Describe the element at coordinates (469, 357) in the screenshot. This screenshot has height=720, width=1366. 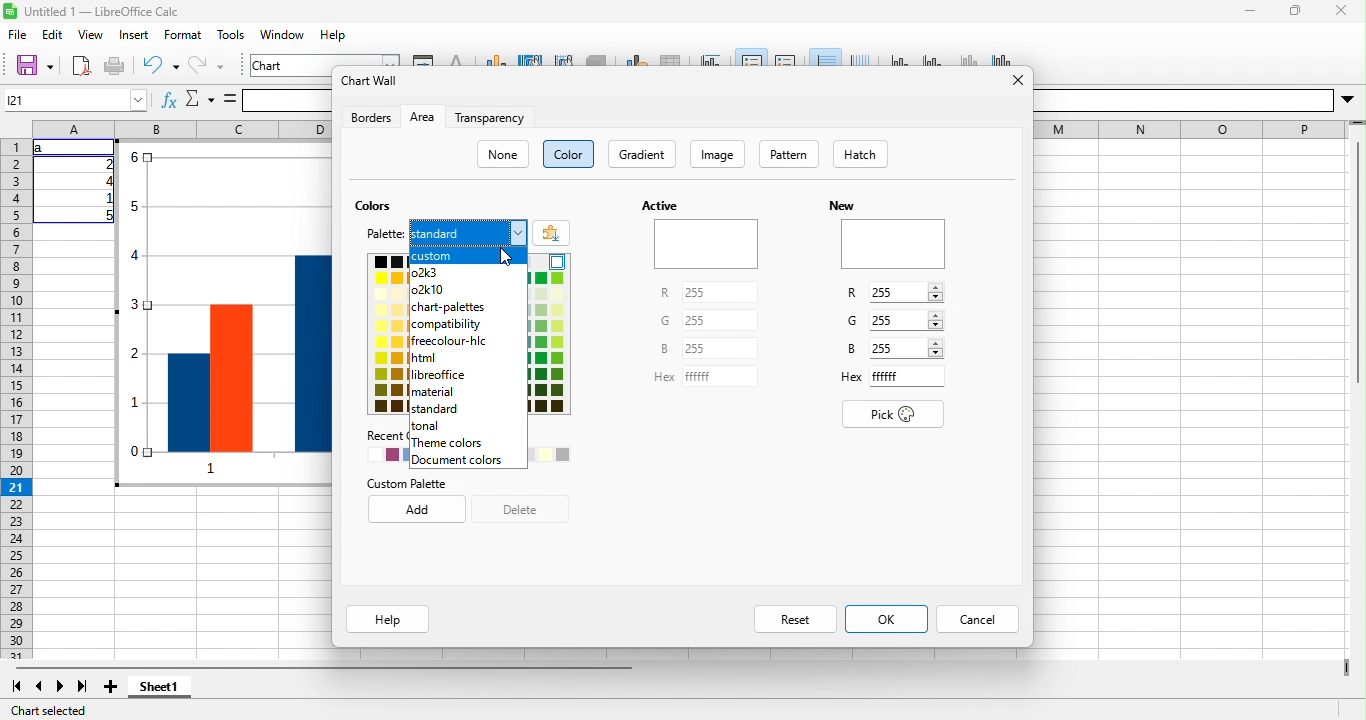
I see `html` at that location.